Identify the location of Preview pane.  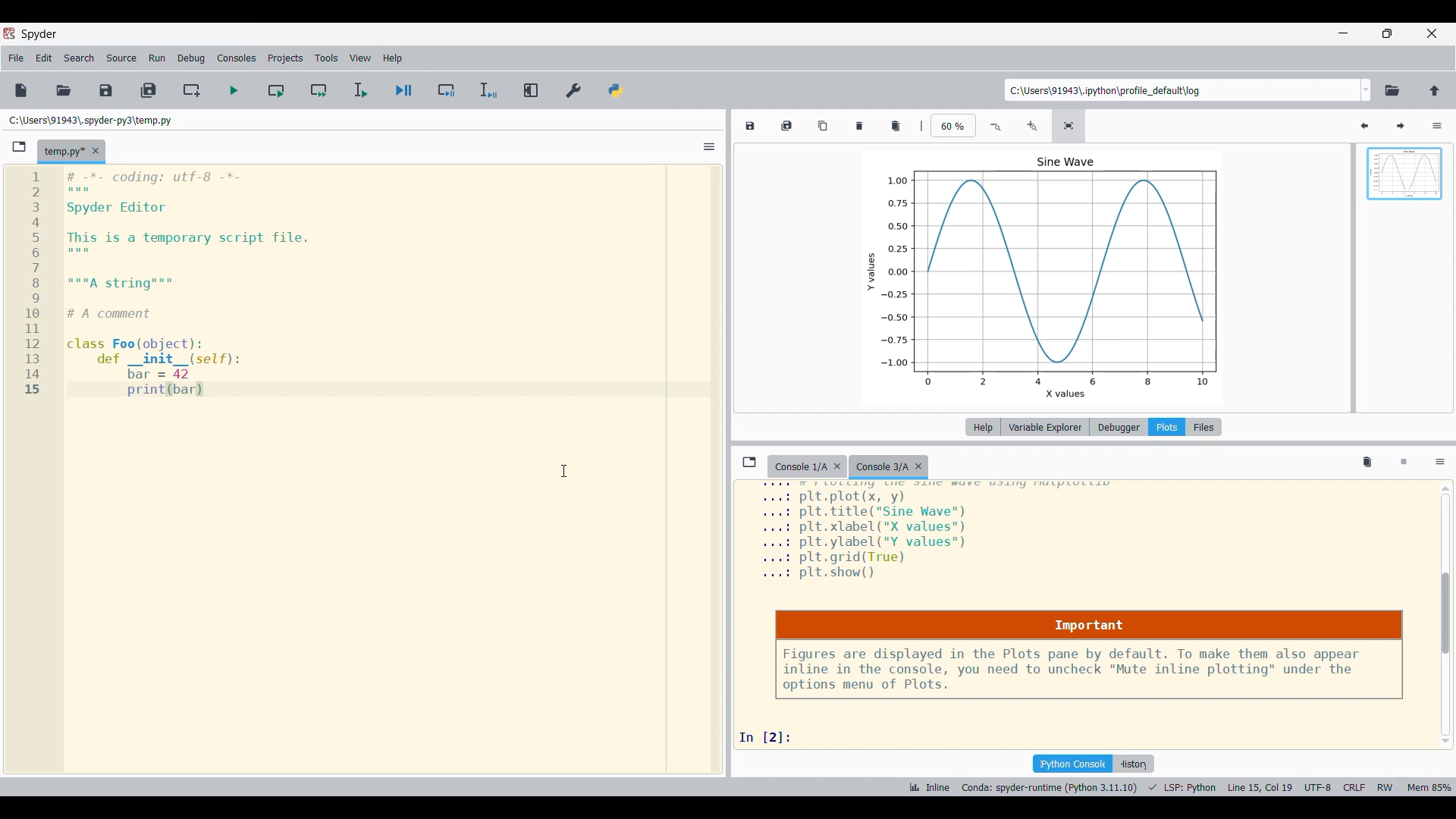
(1405, 187).